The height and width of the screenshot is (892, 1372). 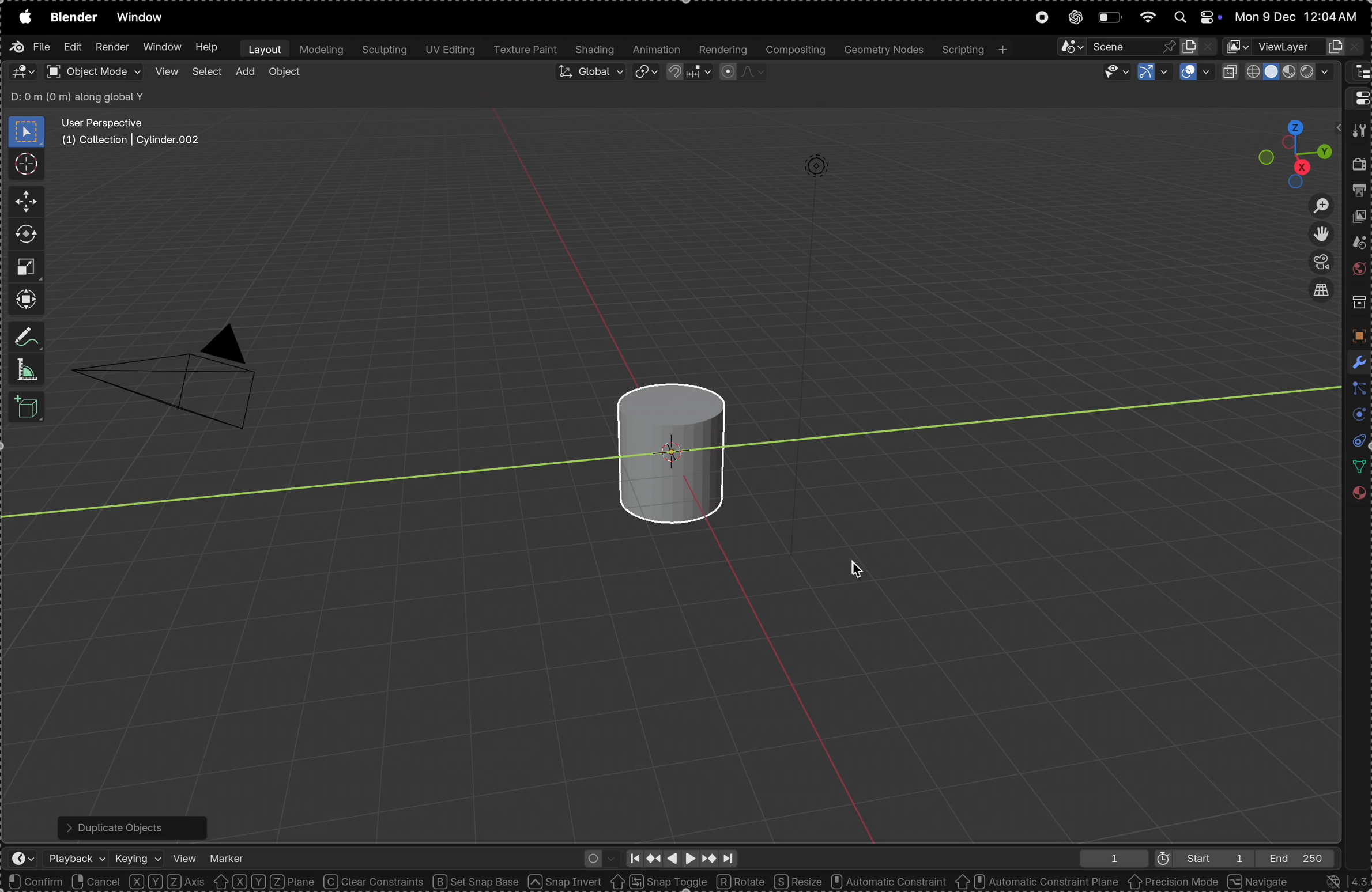 I want to click on toggle view point, so click(x=1318, y=235).